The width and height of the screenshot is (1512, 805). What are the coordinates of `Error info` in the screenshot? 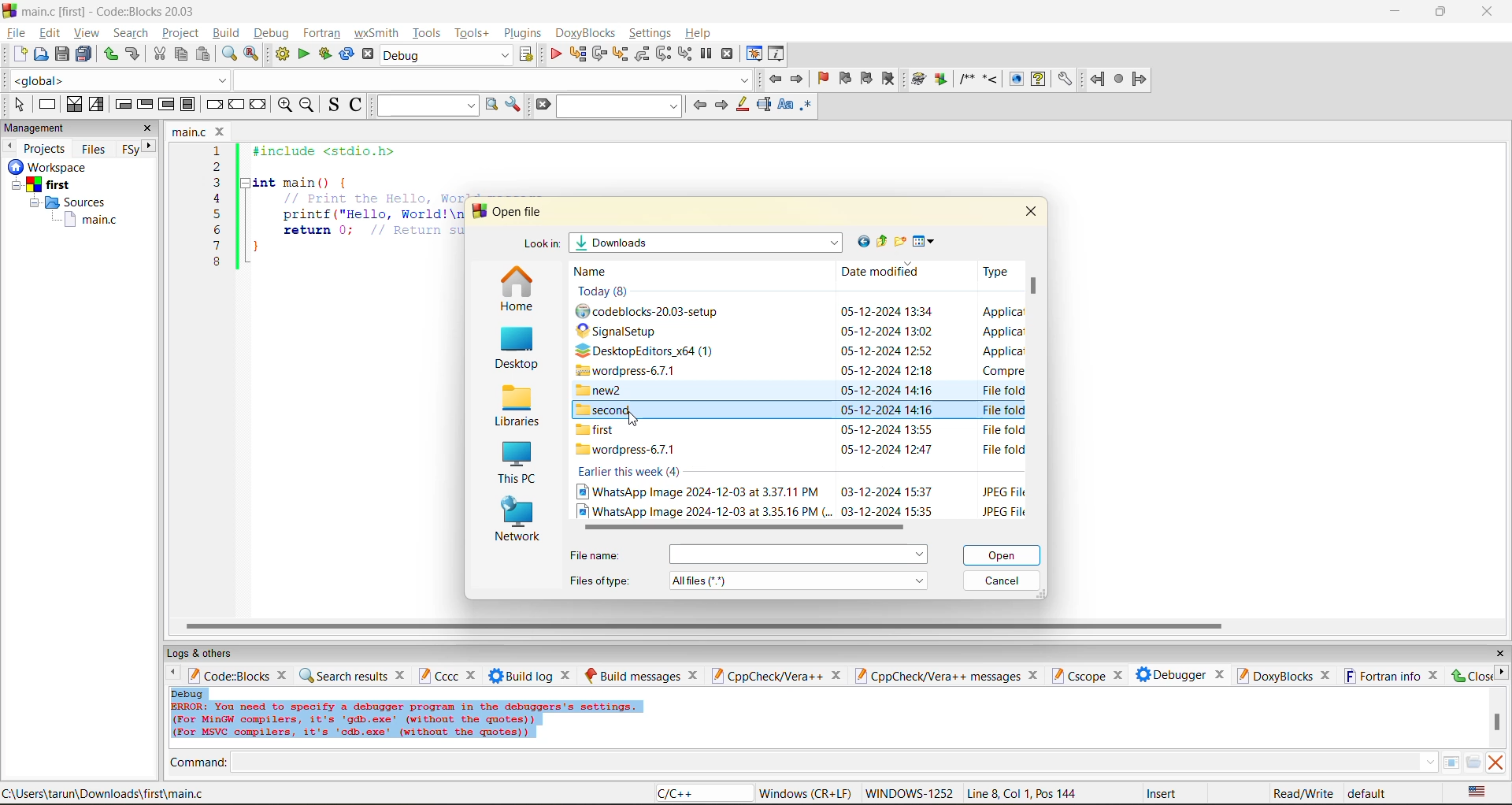 It's located at (406, 721).